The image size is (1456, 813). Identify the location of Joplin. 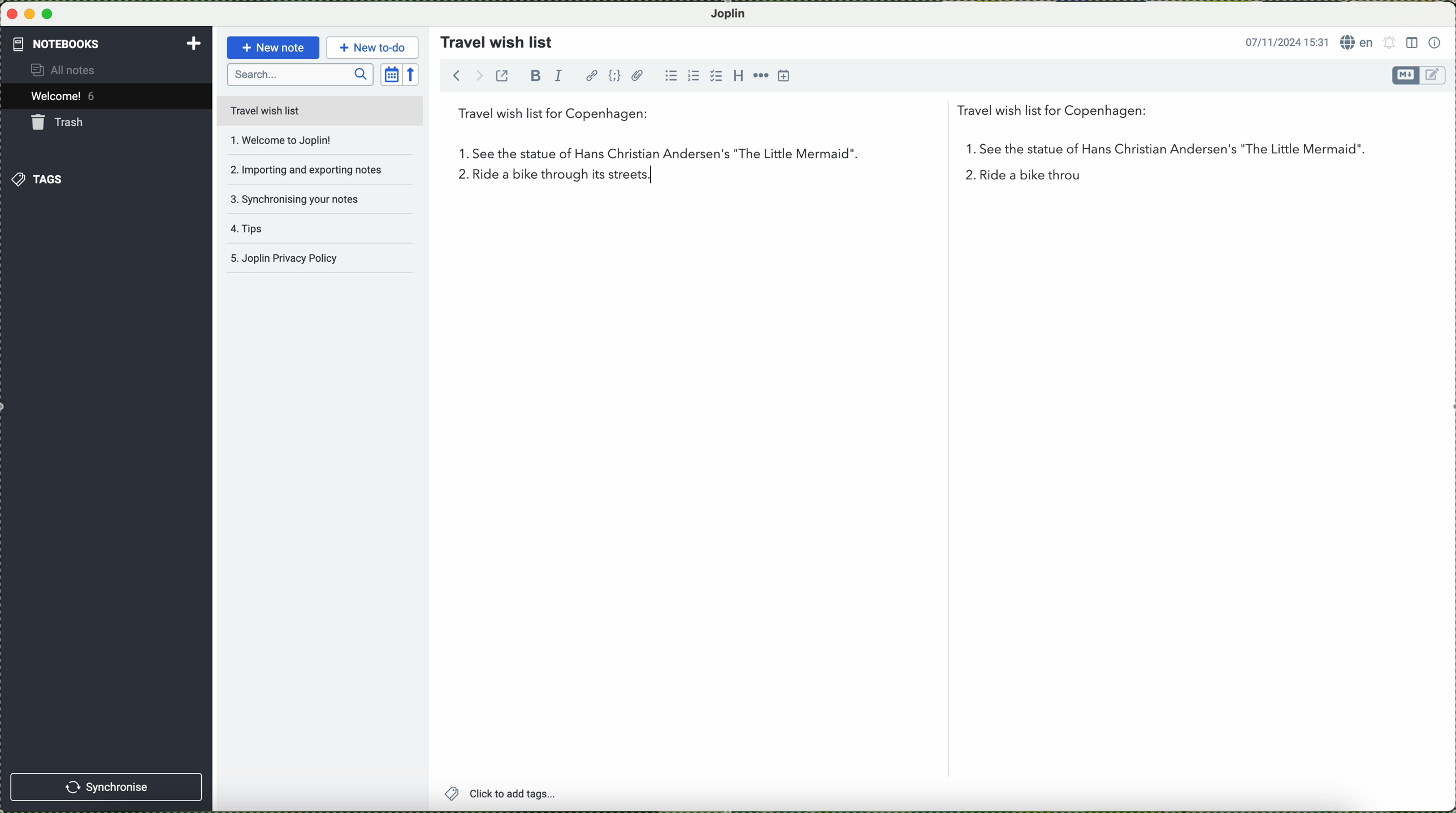
(734, 13).